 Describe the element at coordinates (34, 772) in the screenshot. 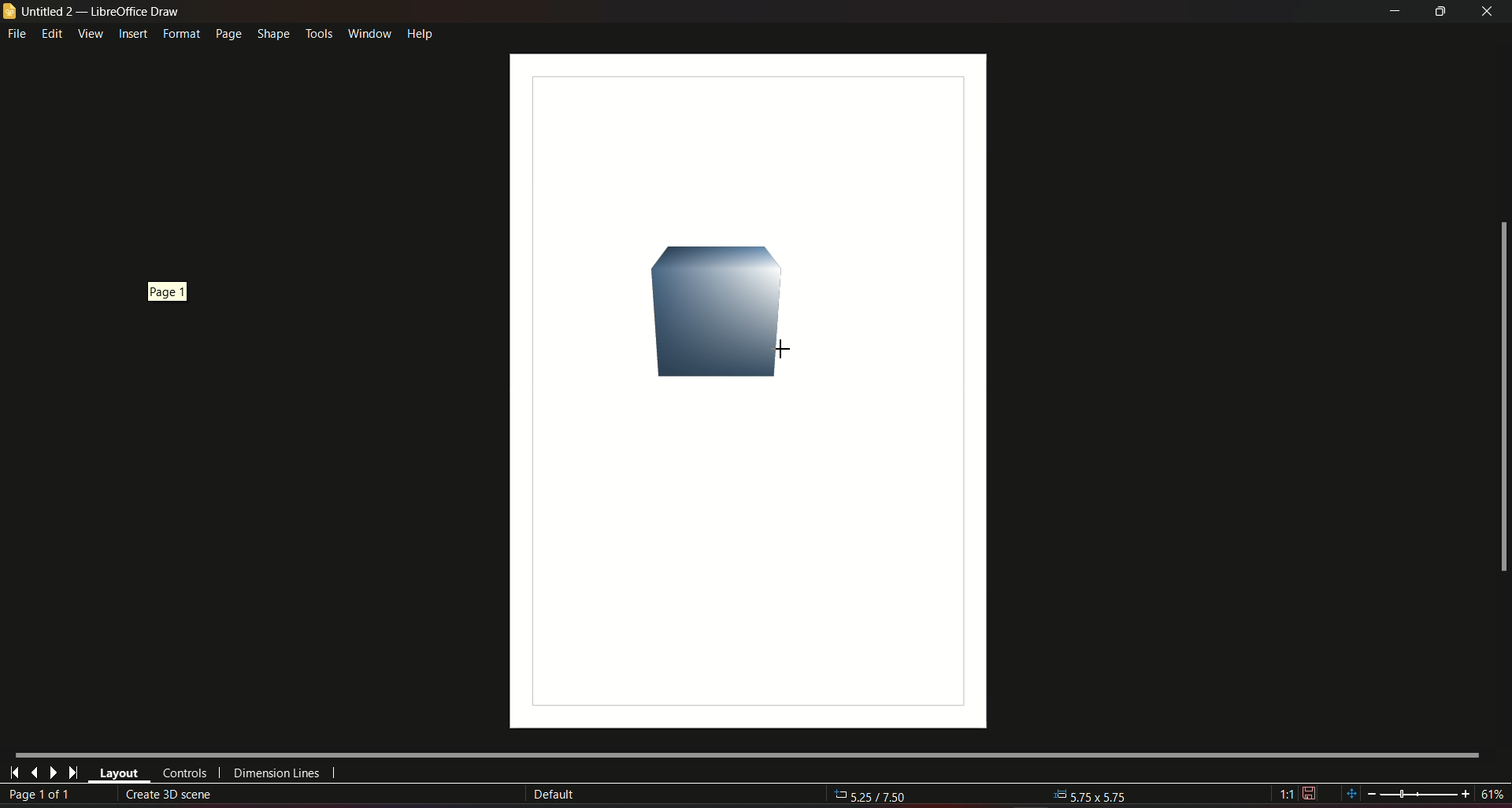

I see `last page` at that location.